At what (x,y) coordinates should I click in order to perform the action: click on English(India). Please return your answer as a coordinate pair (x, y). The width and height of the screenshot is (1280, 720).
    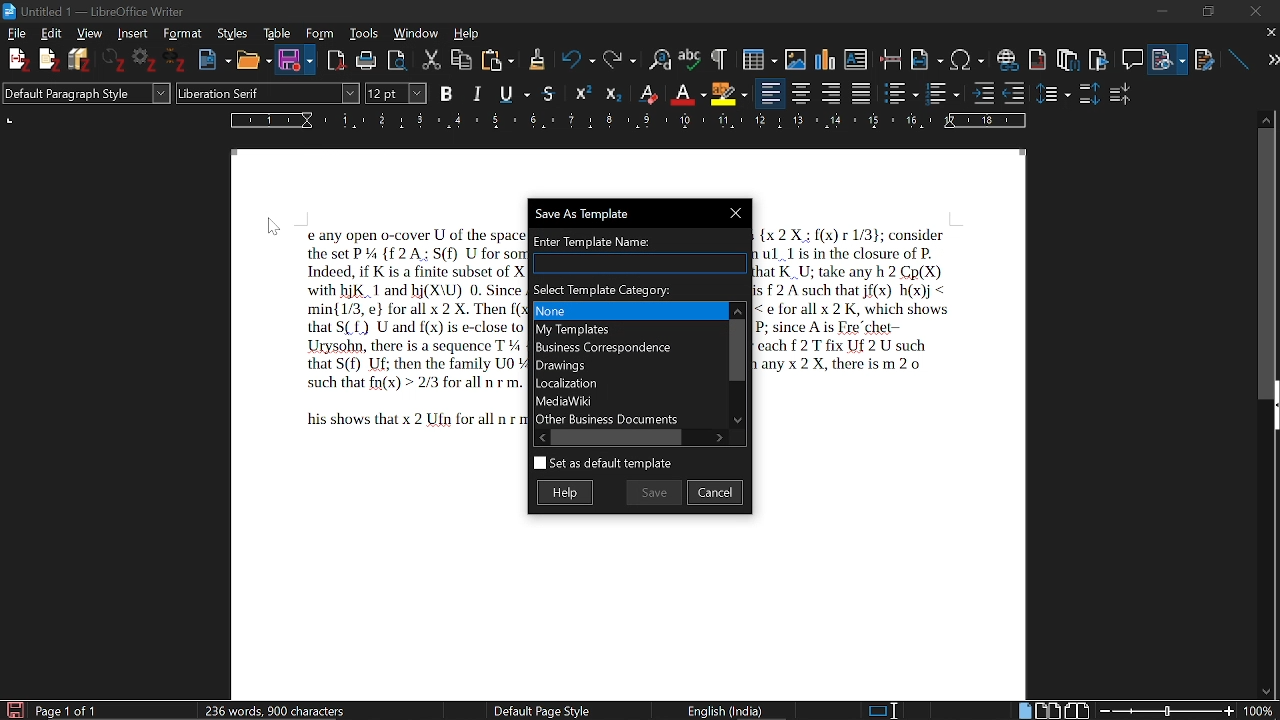
    Looking at the image, I should click on (733, 709).